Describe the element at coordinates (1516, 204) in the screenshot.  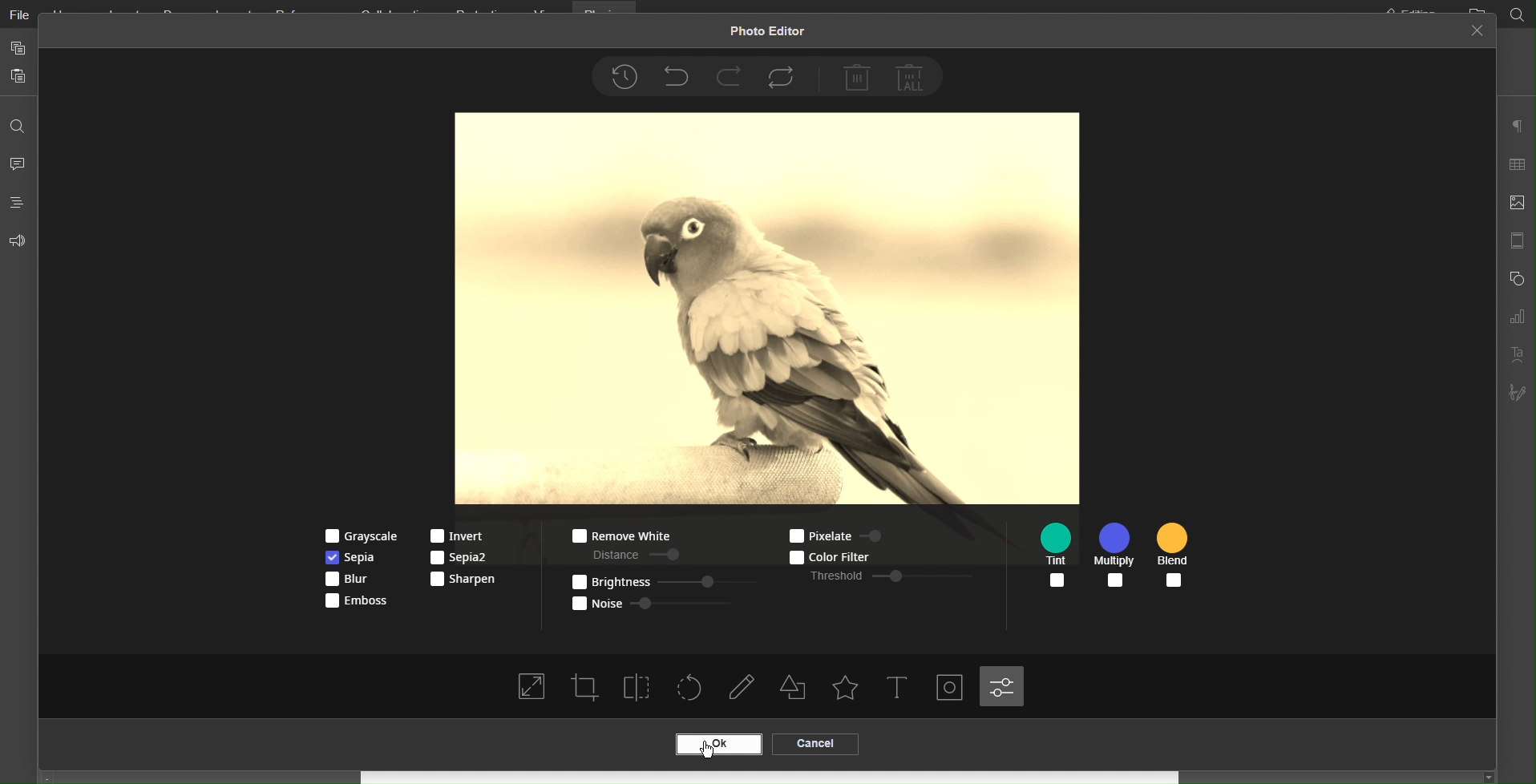
I see `Image Settings` at that location.